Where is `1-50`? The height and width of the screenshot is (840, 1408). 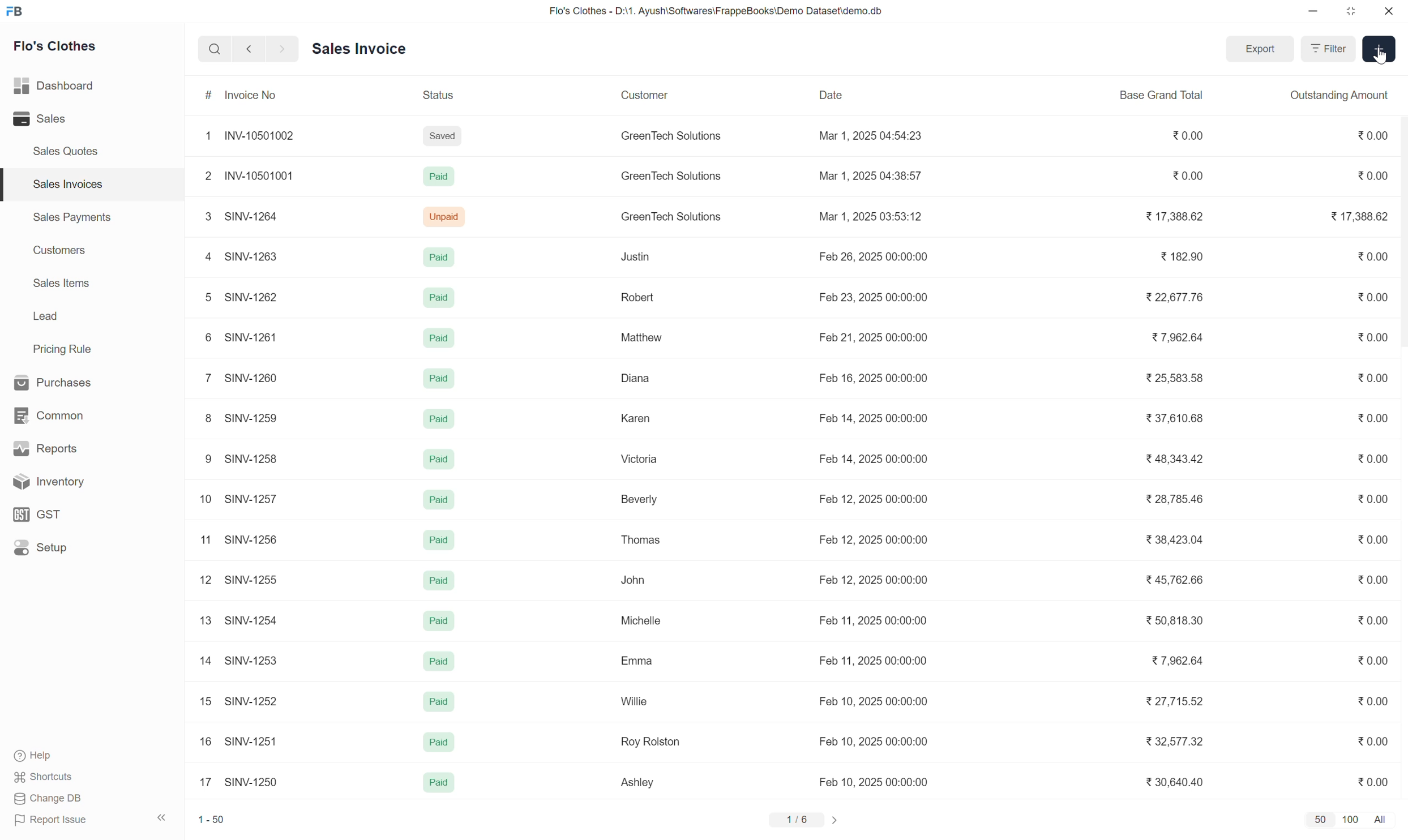 1-50 is located at coordinates (219, 817).